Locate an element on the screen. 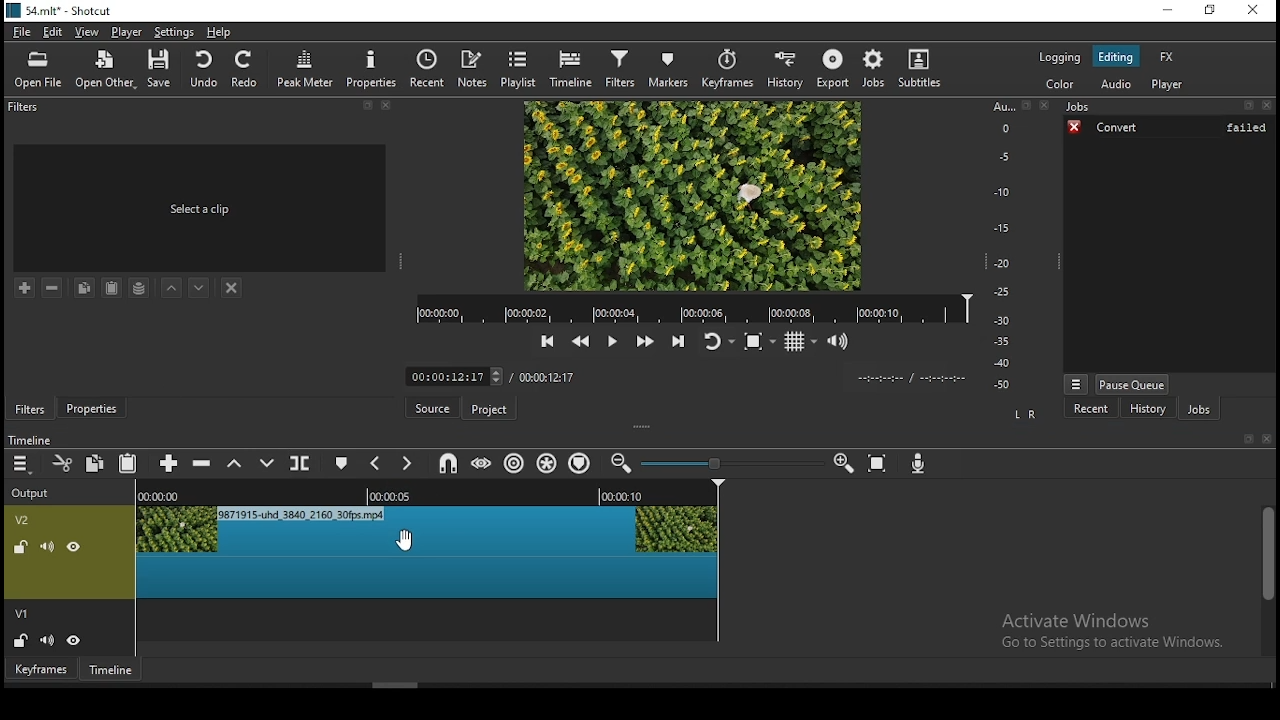 Image resolution: width=1280 pixels, height=720 pixels. logging is located at coordinates (1059, 57).